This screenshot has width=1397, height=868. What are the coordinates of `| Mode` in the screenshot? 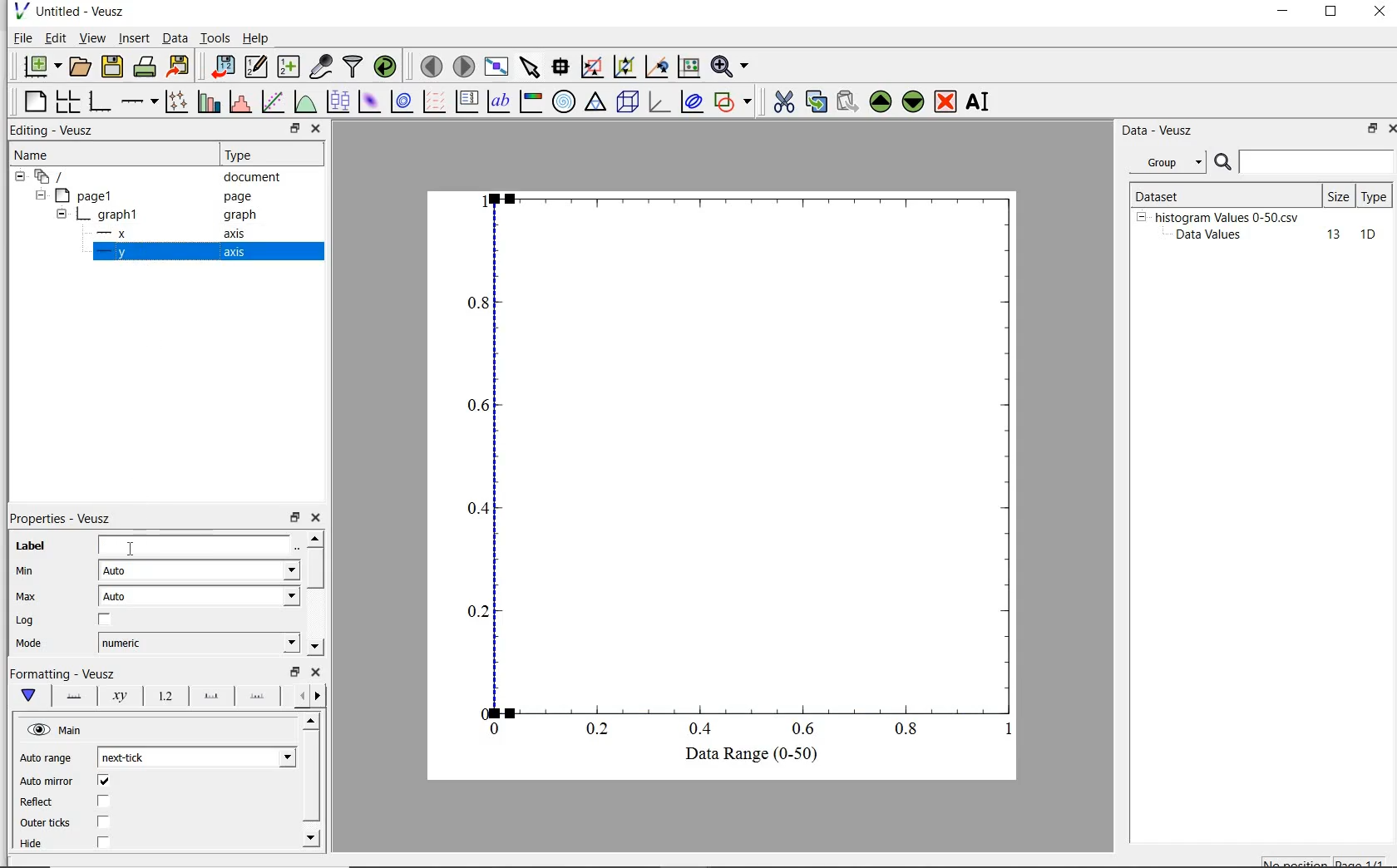 It's located at (29, 645).